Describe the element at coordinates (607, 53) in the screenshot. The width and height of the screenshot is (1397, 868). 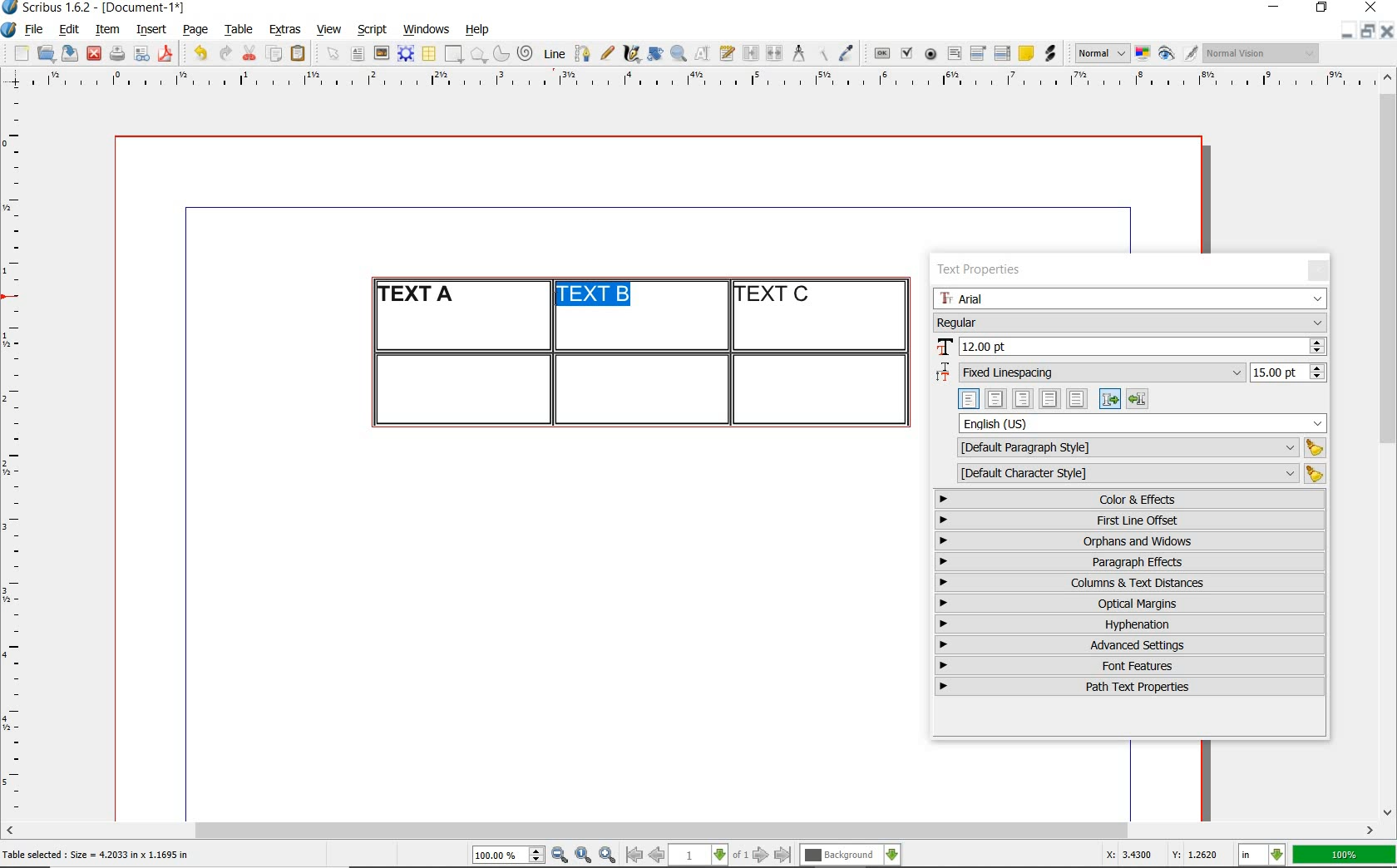
I see `freehand line` at that location.